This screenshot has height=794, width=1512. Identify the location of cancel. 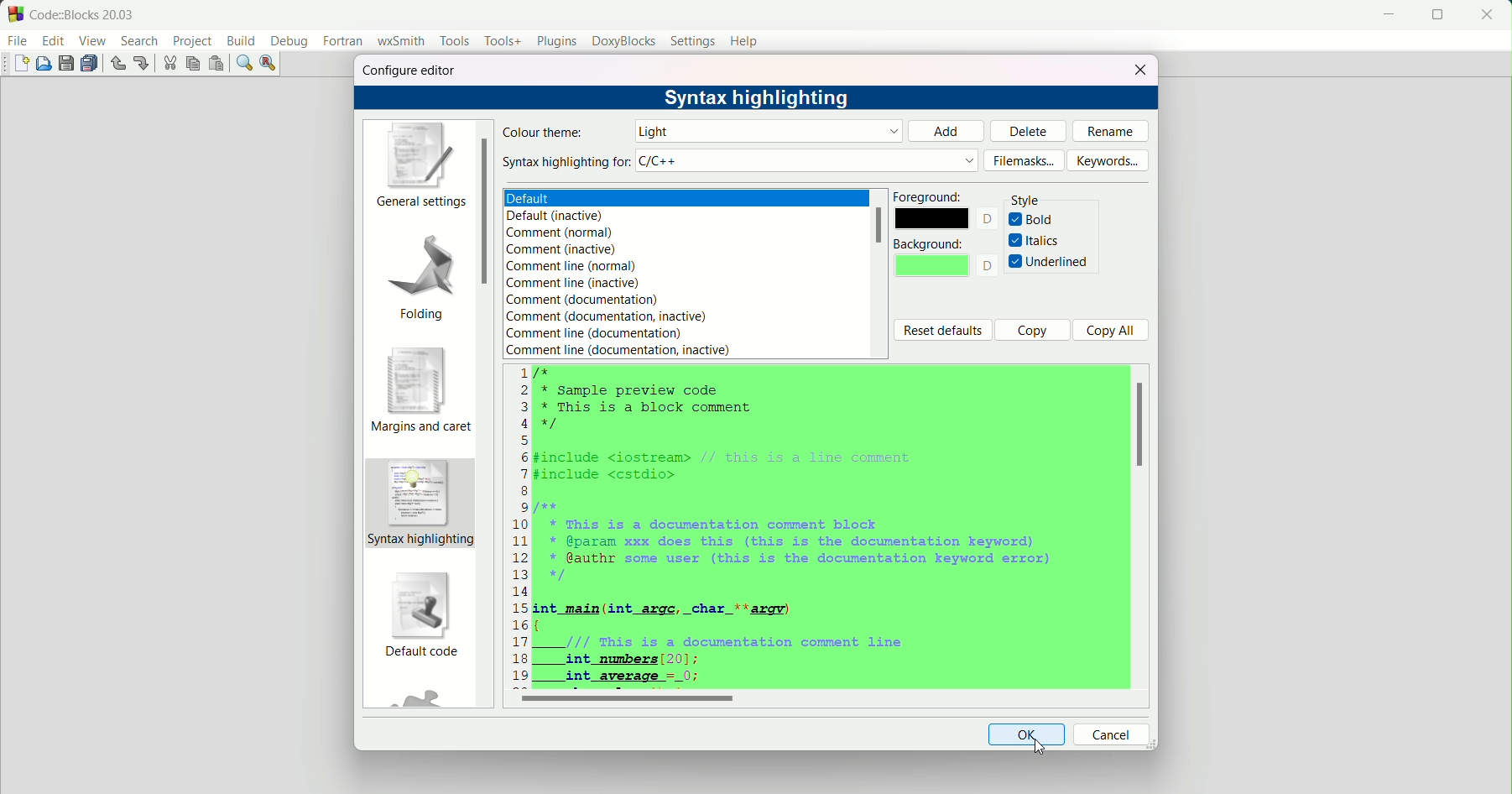
(1110, 734).